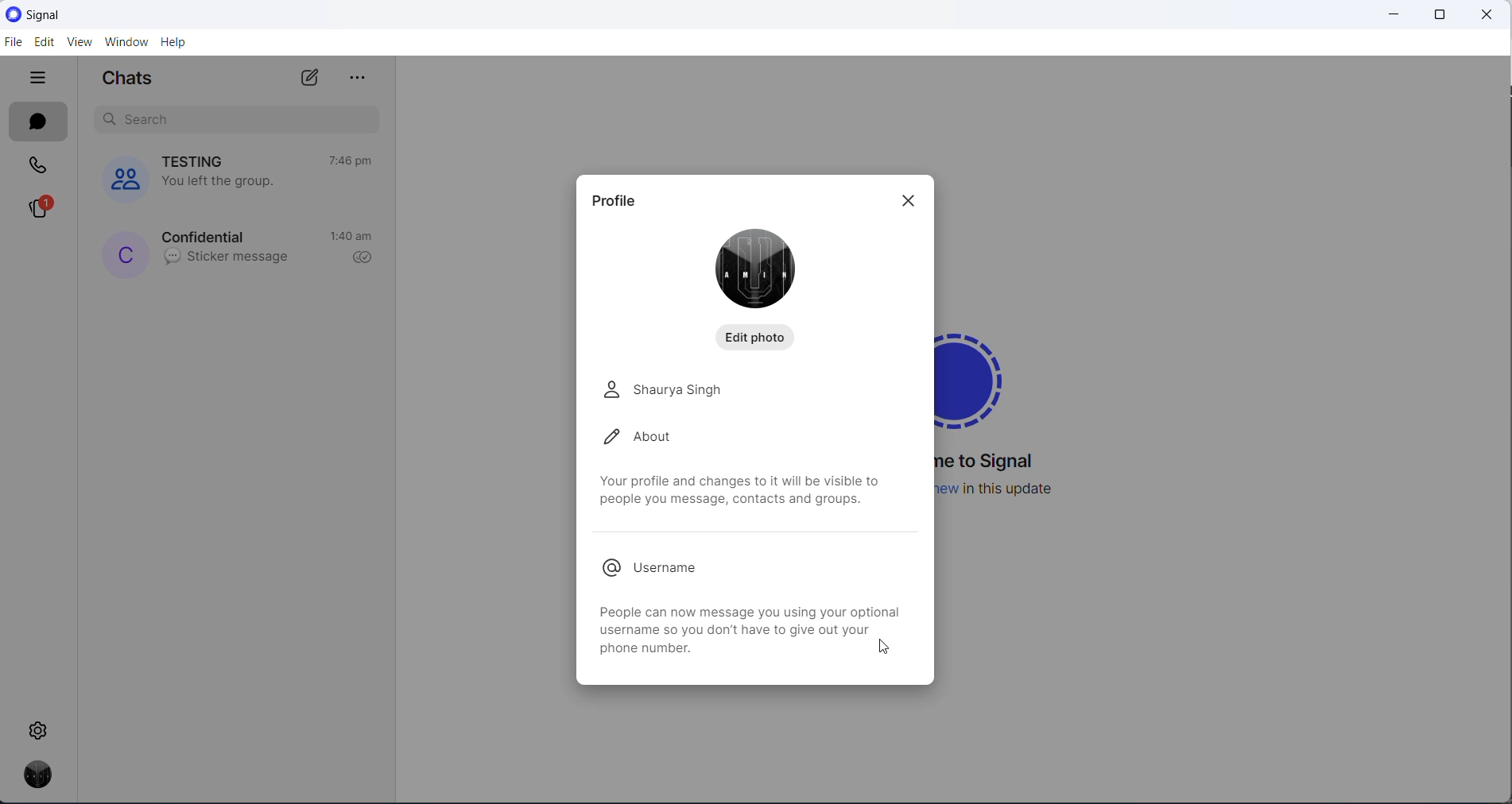  What do you see at coordinates (126, 253) in the screenshot?
I see `profile picture` at bounding box center [126, 253].